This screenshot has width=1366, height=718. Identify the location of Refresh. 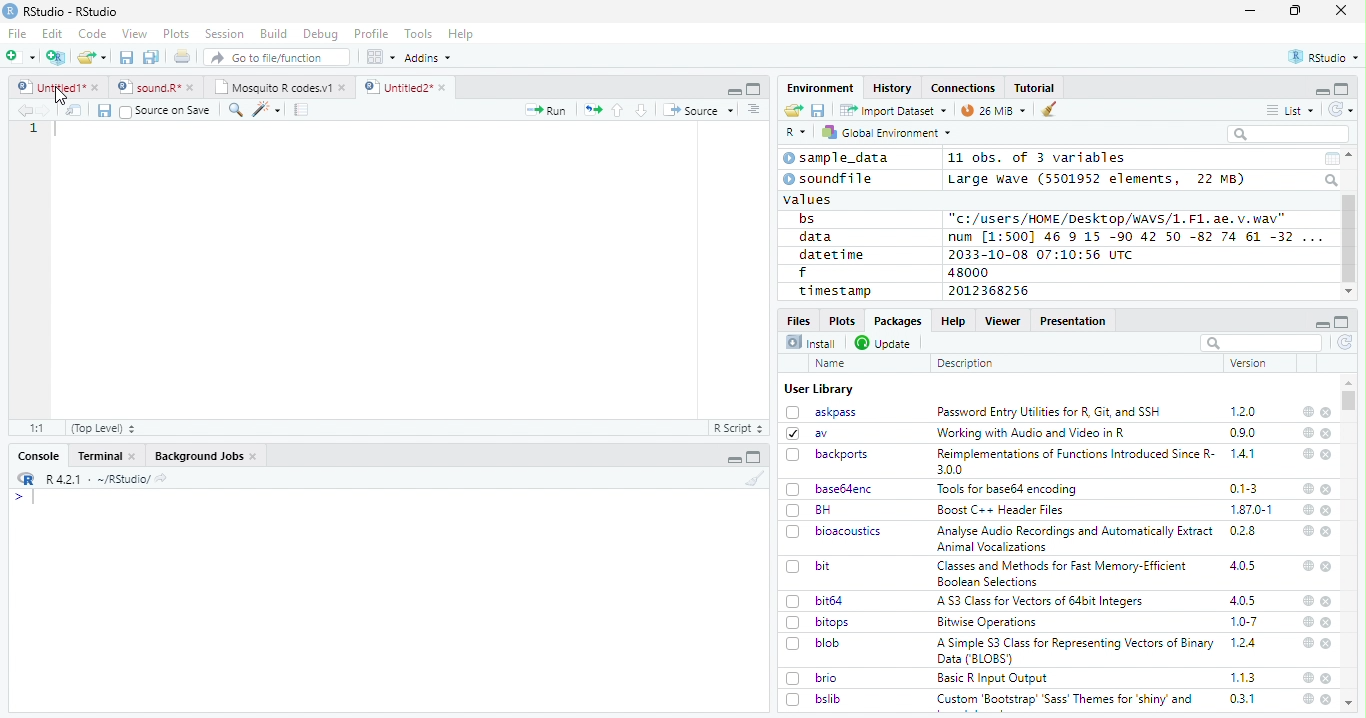
(1342, 109).